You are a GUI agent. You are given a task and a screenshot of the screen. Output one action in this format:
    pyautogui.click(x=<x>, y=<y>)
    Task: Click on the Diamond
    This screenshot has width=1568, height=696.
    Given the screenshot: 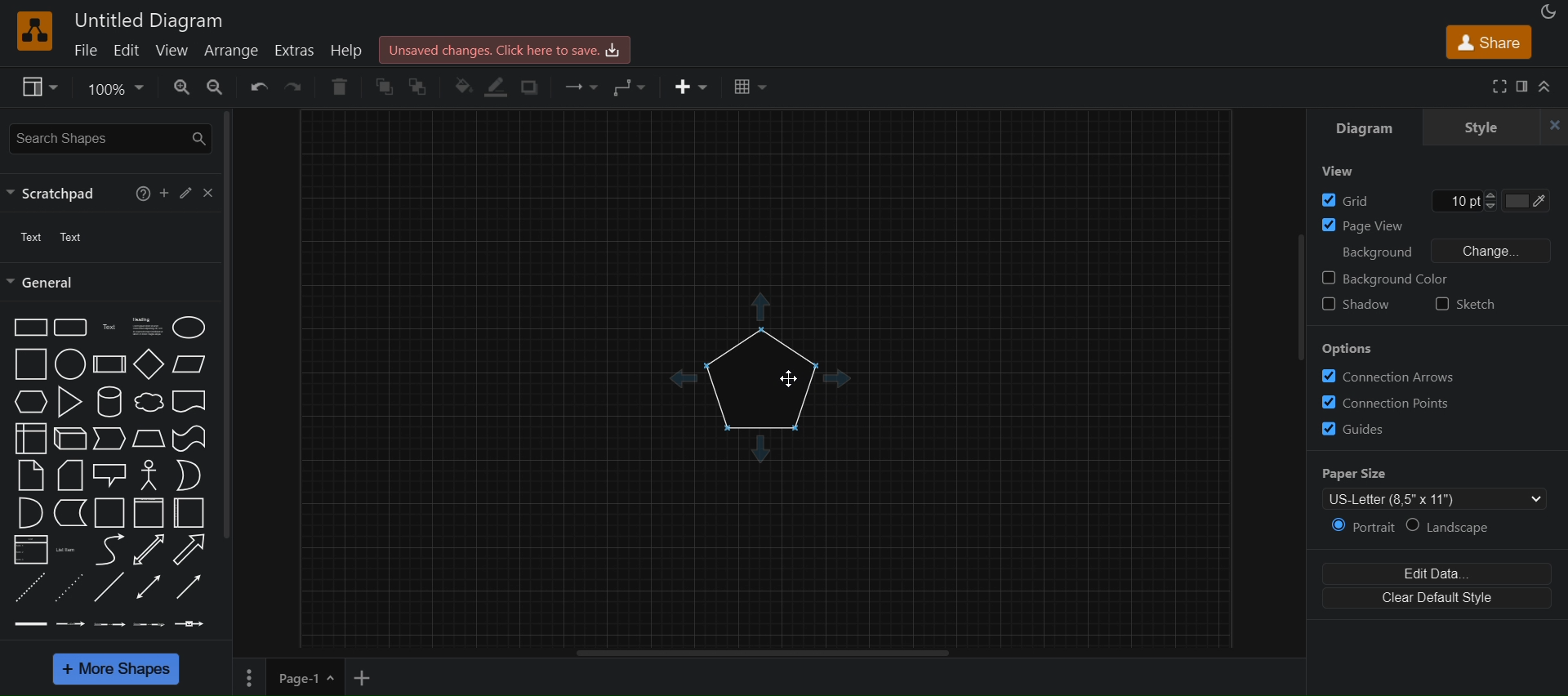 What is the action you would take?
    pyautogui.click(x=149, y=364)
    